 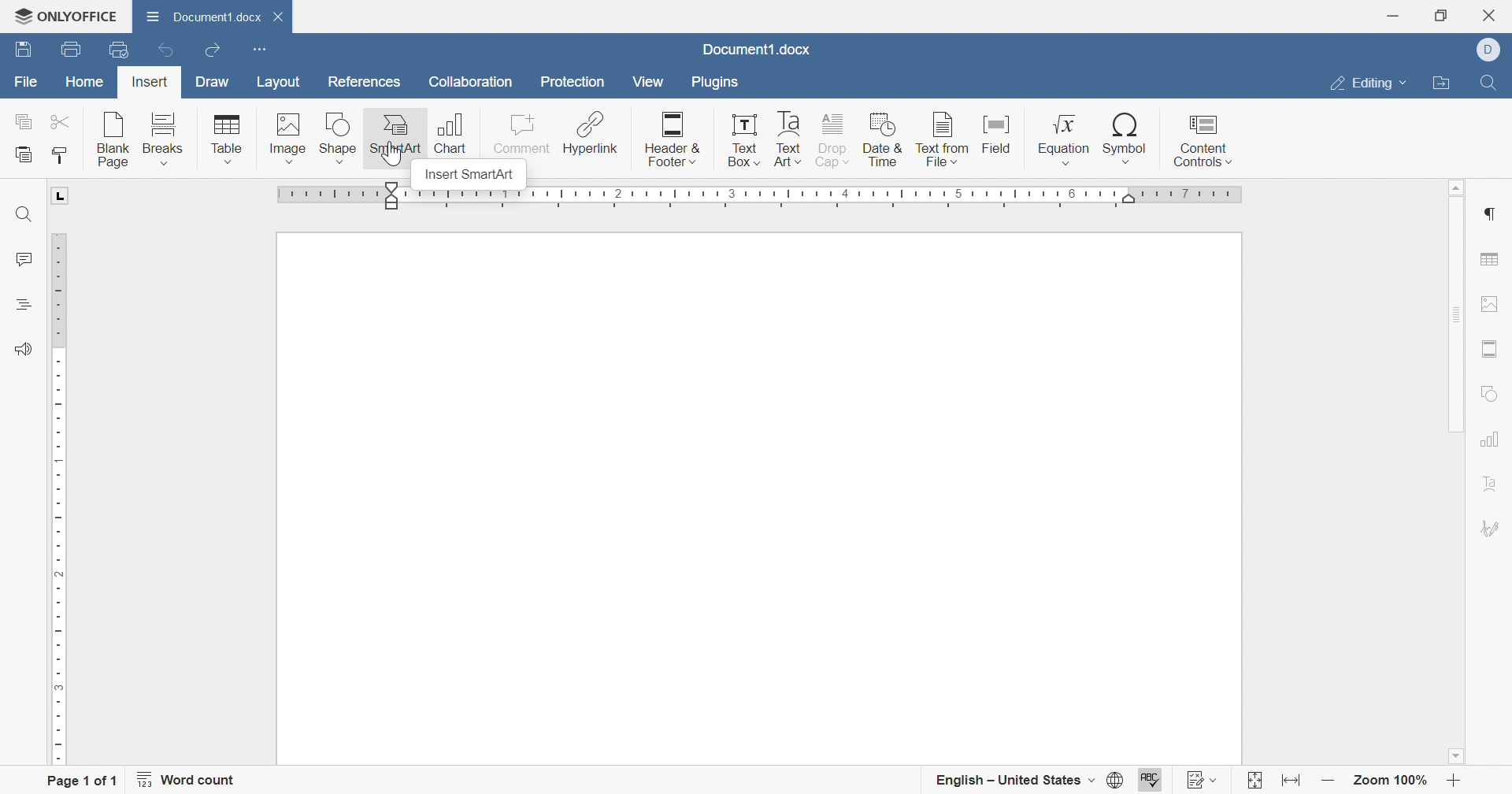 What do you see at coordinates (1491, 487) in the screenshot?
I see `Text art settings` at bounding box center [1491, 487].